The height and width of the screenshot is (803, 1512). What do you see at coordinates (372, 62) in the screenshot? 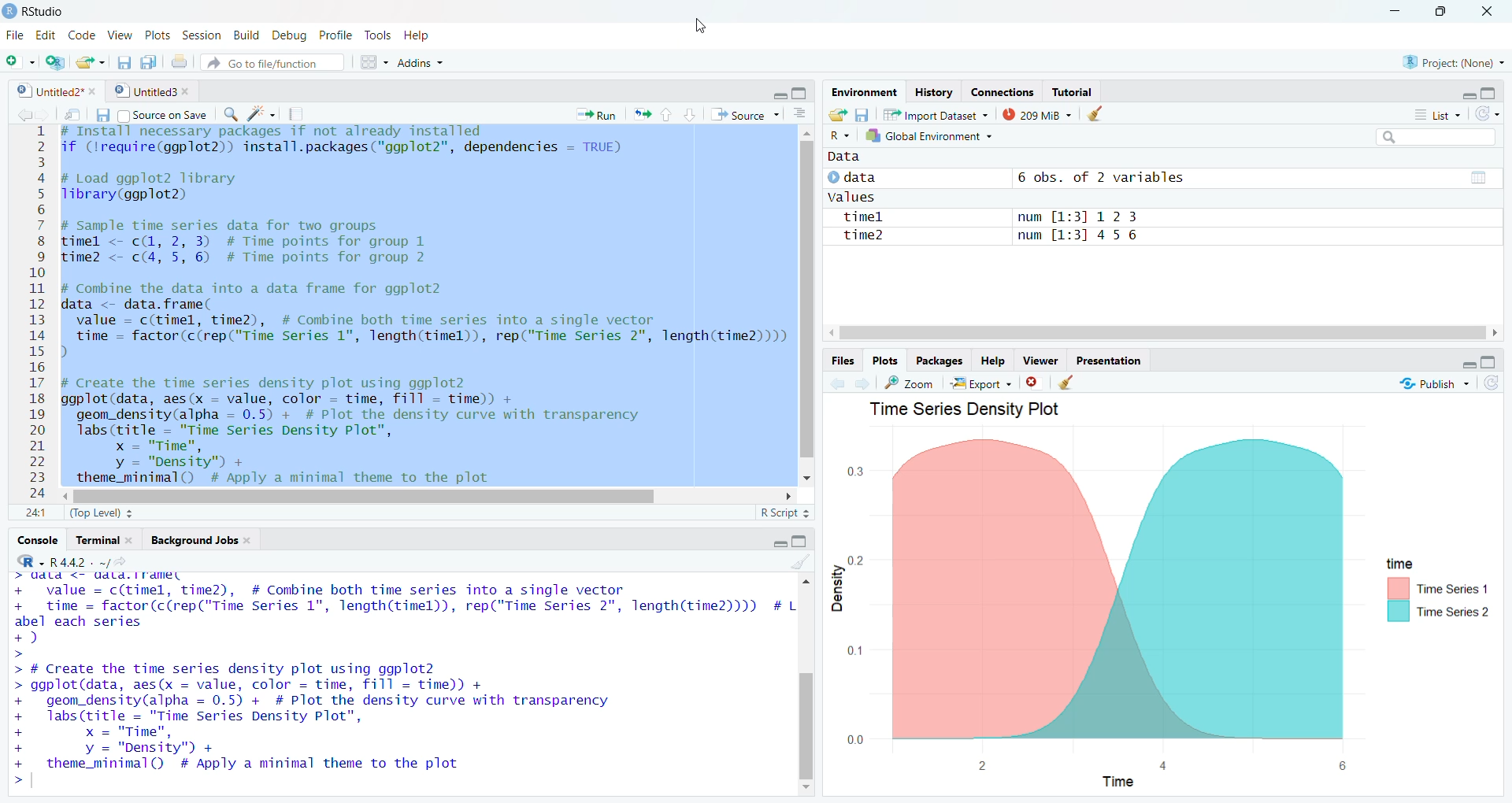
I see `Workspace panes` at bounding box center [372, 62].